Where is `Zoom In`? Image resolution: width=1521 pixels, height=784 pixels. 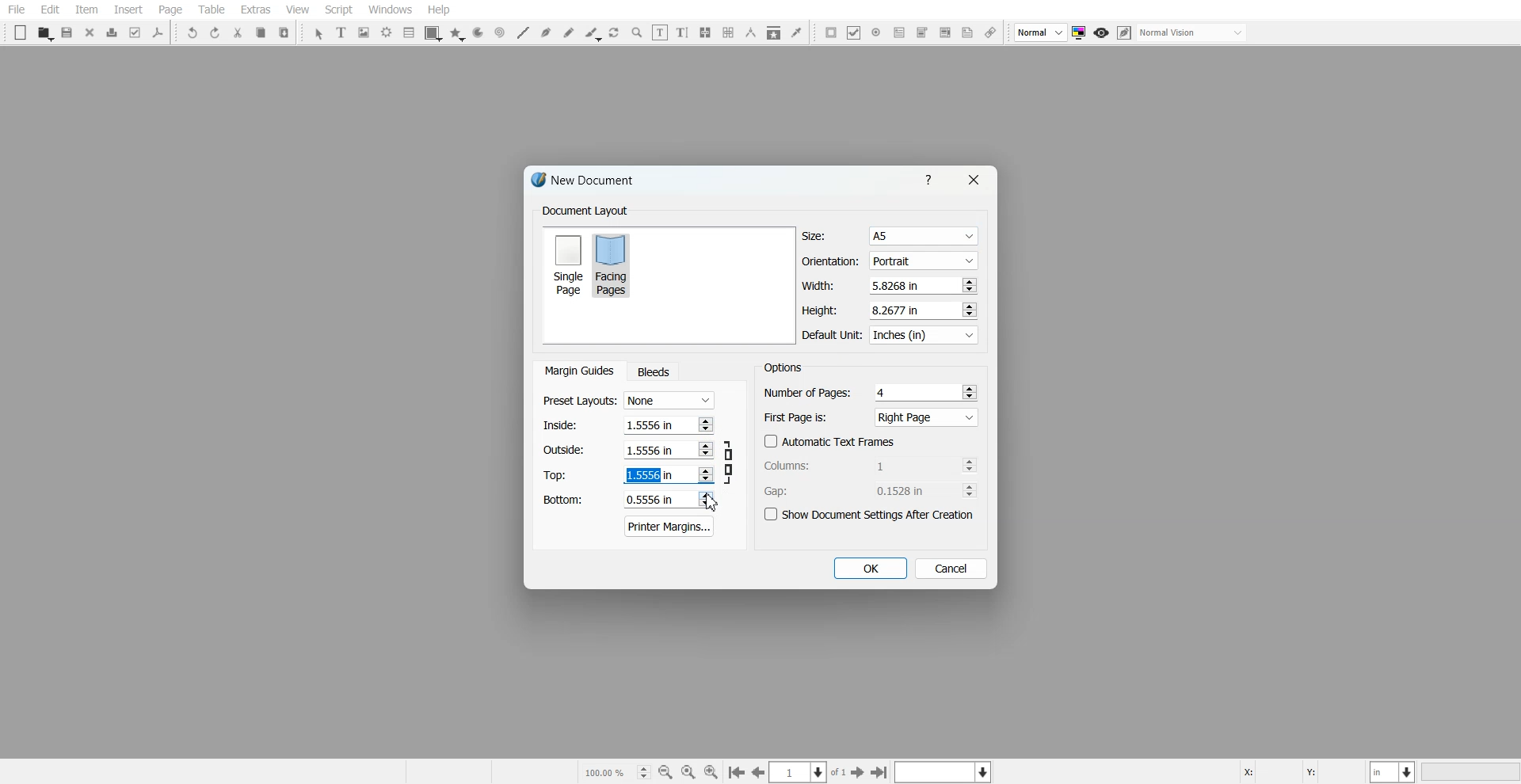 Zoom In is located at coordinates (711, 771).